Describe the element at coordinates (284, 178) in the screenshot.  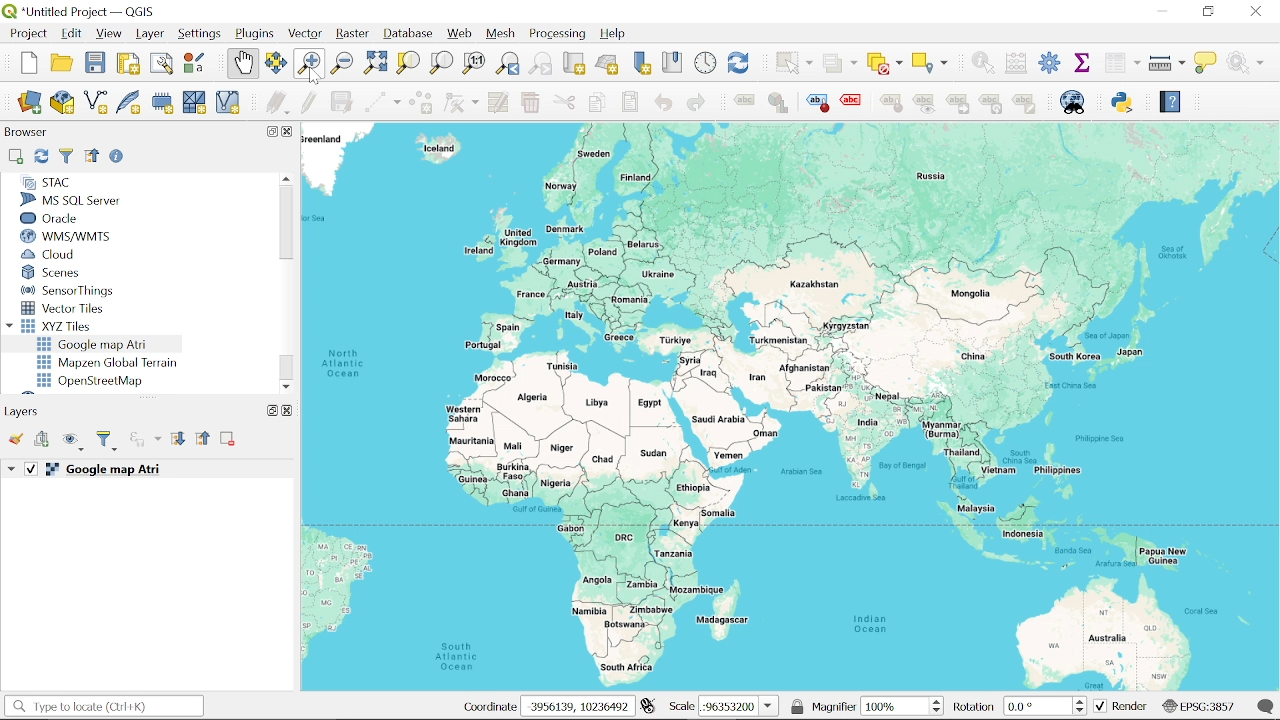
I see `Move up` at that location.